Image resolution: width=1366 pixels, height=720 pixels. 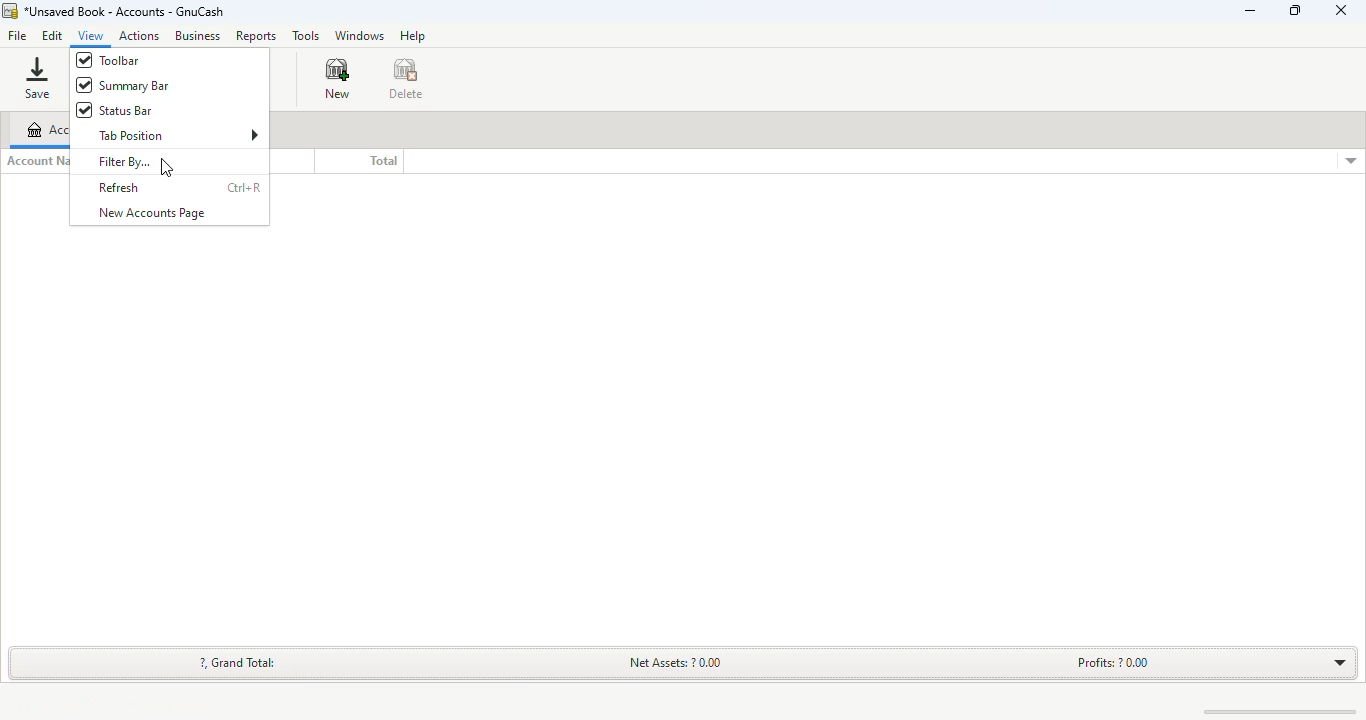 I want to click on filter by, so click(x=137, y=163).